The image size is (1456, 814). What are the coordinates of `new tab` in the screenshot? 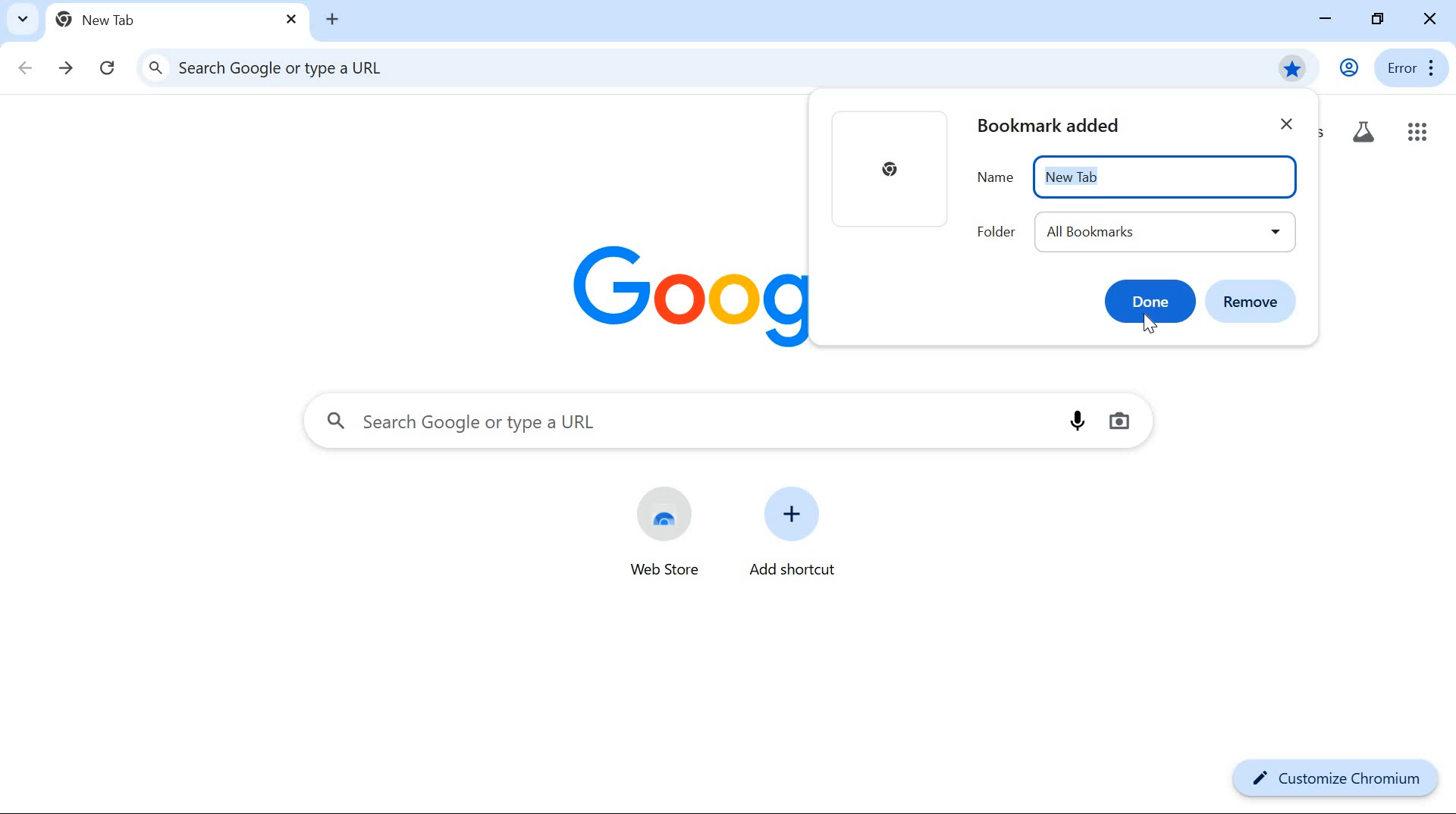 It's located at (331, 19).